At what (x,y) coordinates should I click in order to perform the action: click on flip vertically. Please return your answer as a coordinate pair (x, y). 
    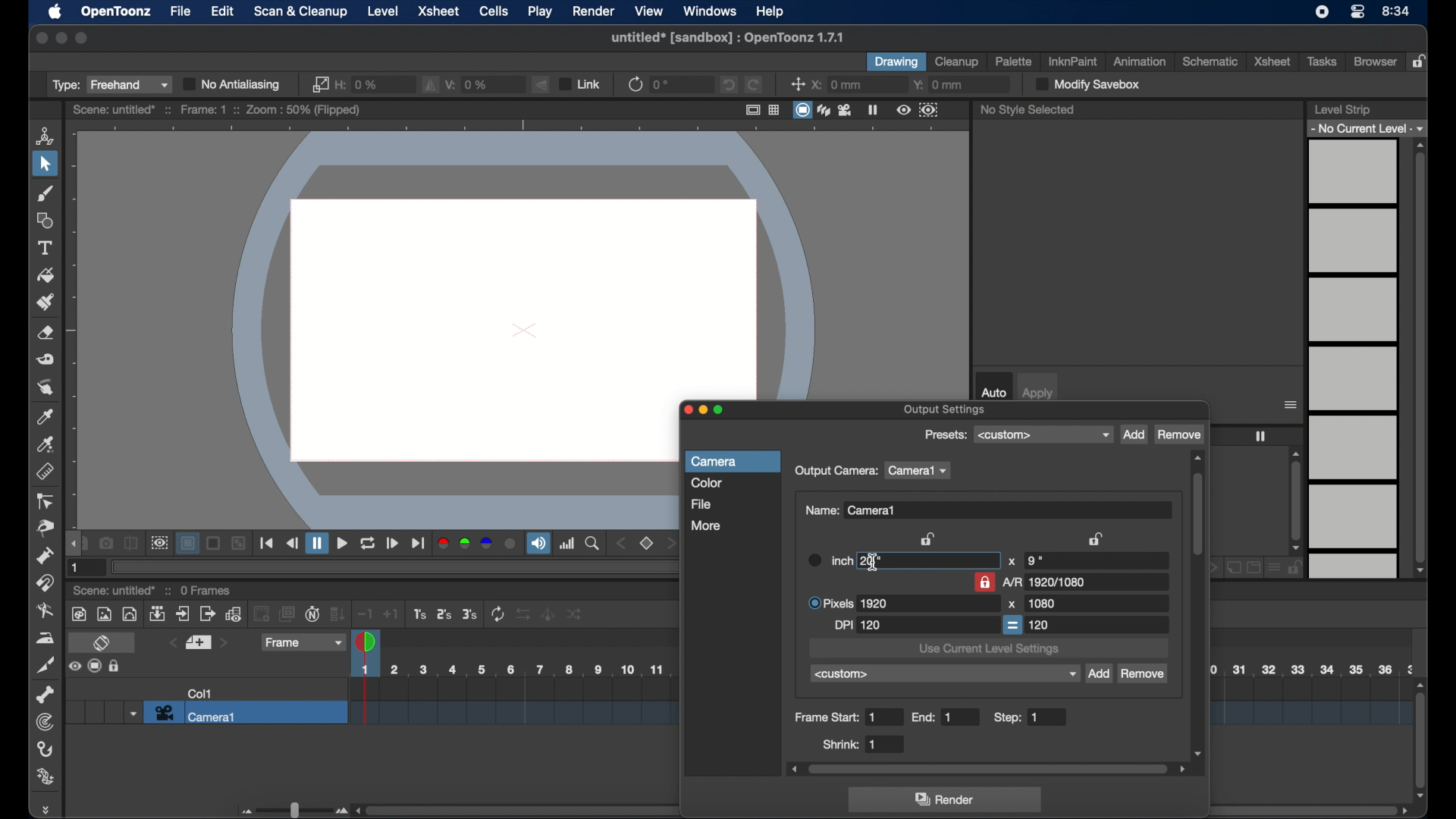
    Looking at the image, I should click on (542, 84).